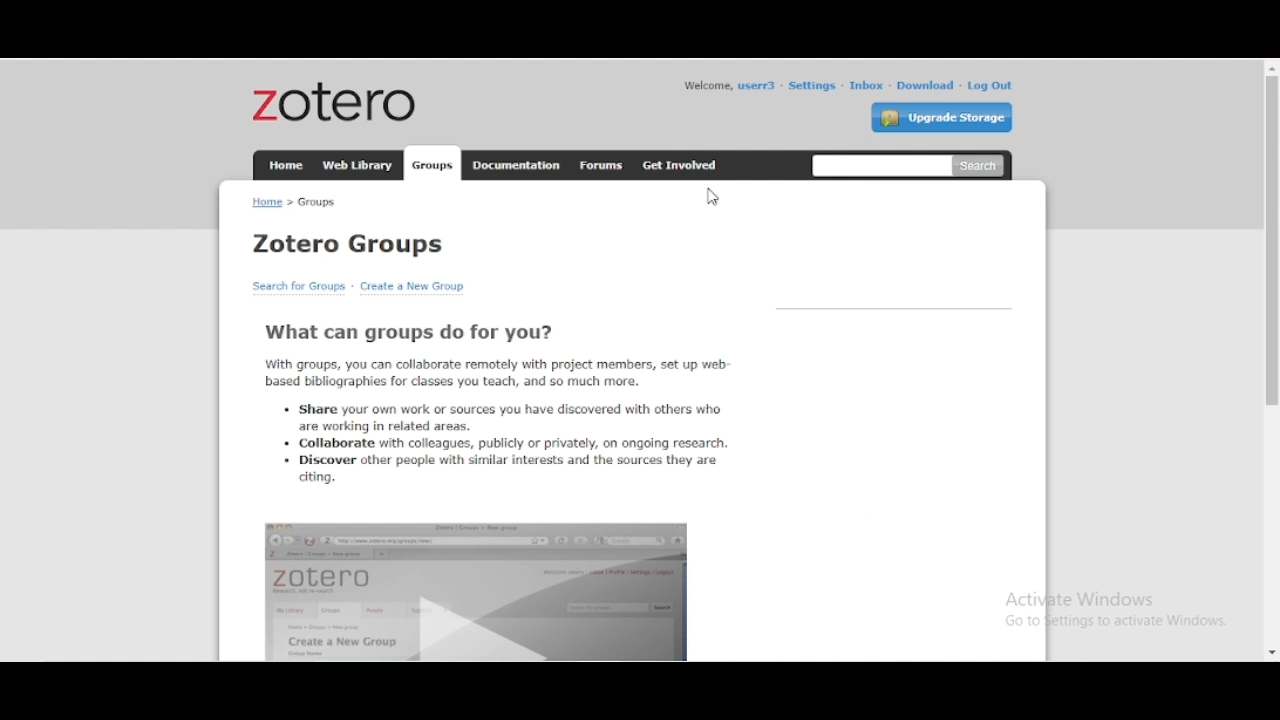  I want to click on create a new group, so click(413, 286).